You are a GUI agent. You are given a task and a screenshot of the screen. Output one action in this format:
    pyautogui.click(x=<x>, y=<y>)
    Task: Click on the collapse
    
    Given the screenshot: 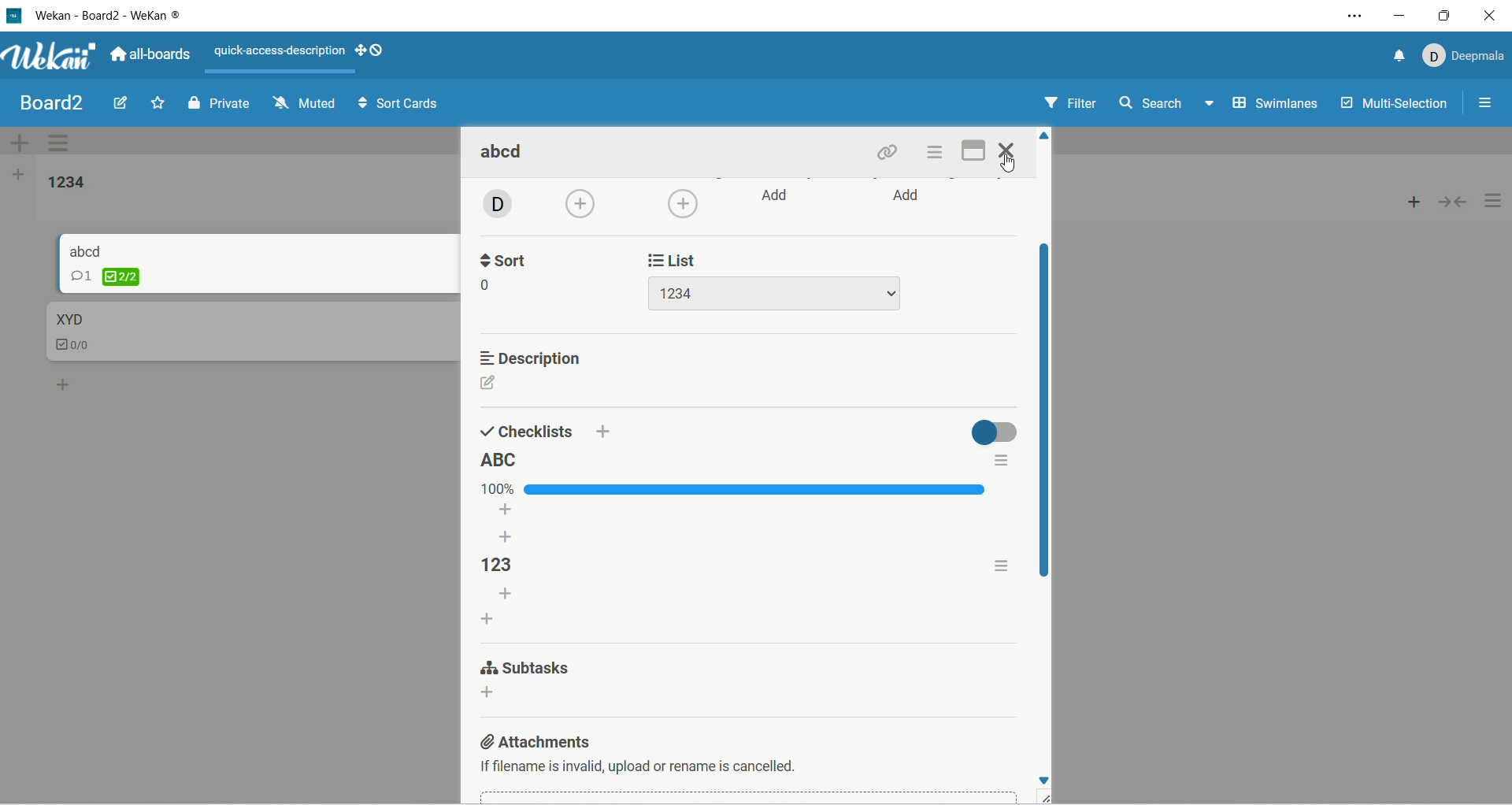 What is the action you would take?
    pyautogui.click(x=1456, y=204)
    